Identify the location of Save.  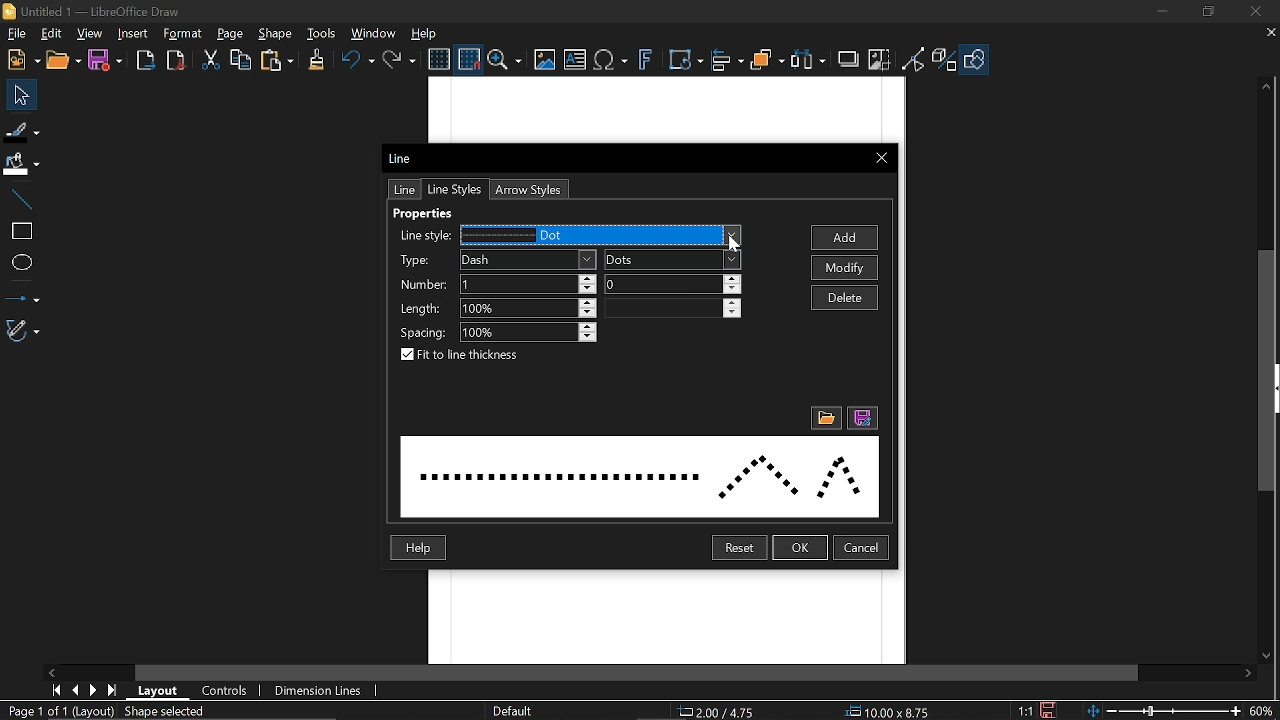
(103, 61).